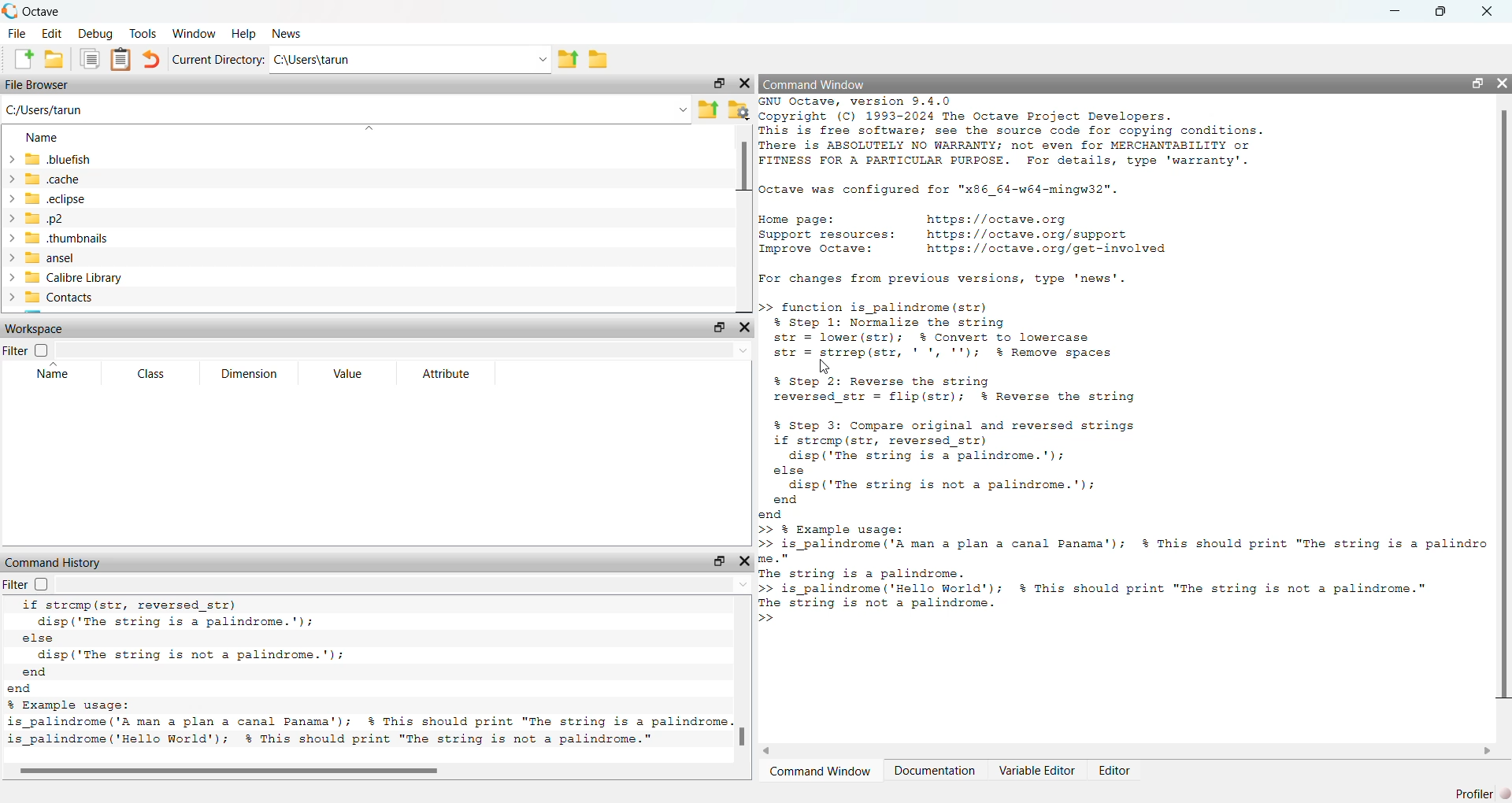 This screenshot has height=803, width=1512. I want to click on filter, so click(24, 350).